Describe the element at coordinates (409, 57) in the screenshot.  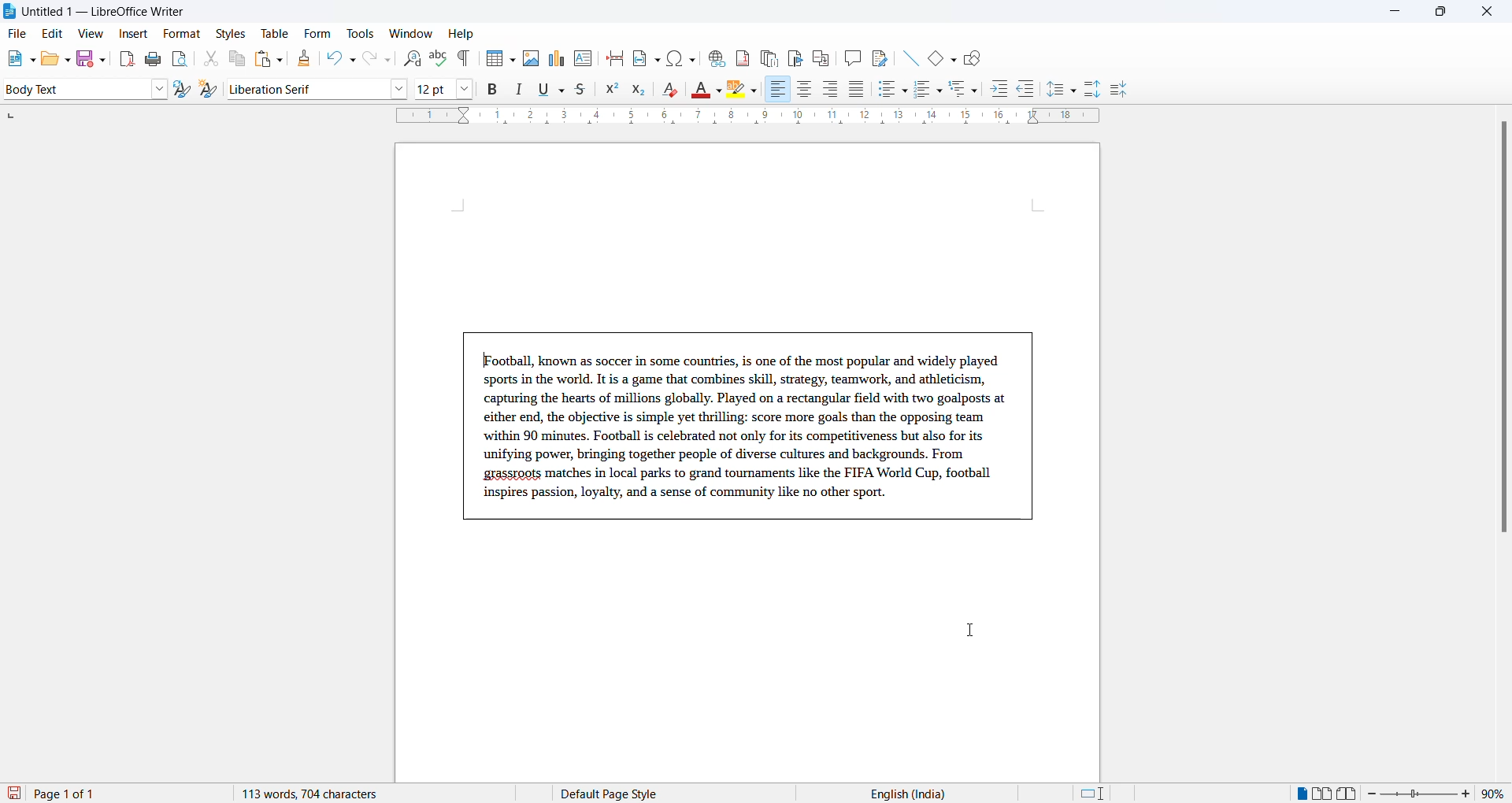
I see `find and replace` at that location.